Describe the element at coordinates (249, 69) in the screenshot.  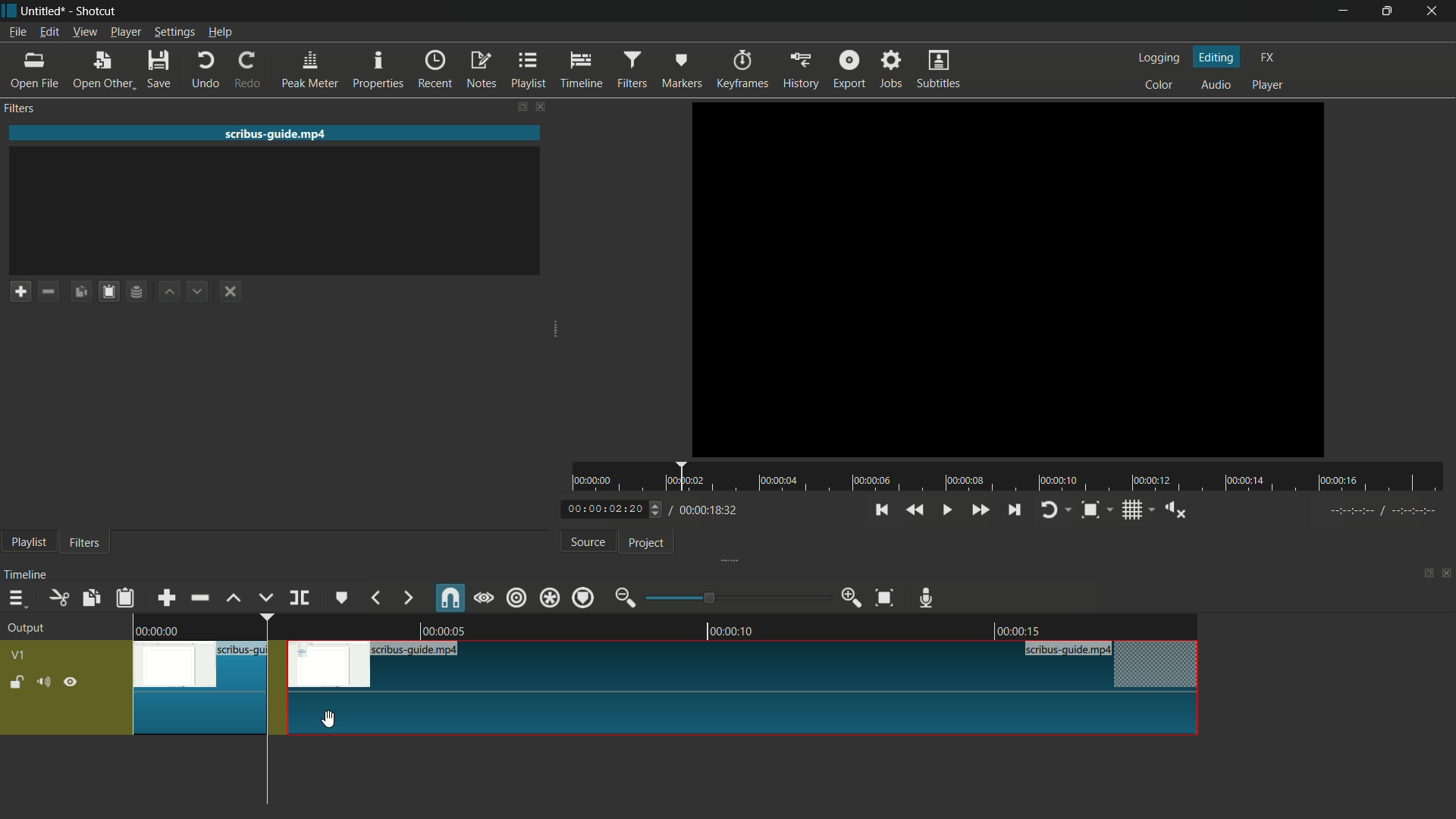
I see `redo` at that location.